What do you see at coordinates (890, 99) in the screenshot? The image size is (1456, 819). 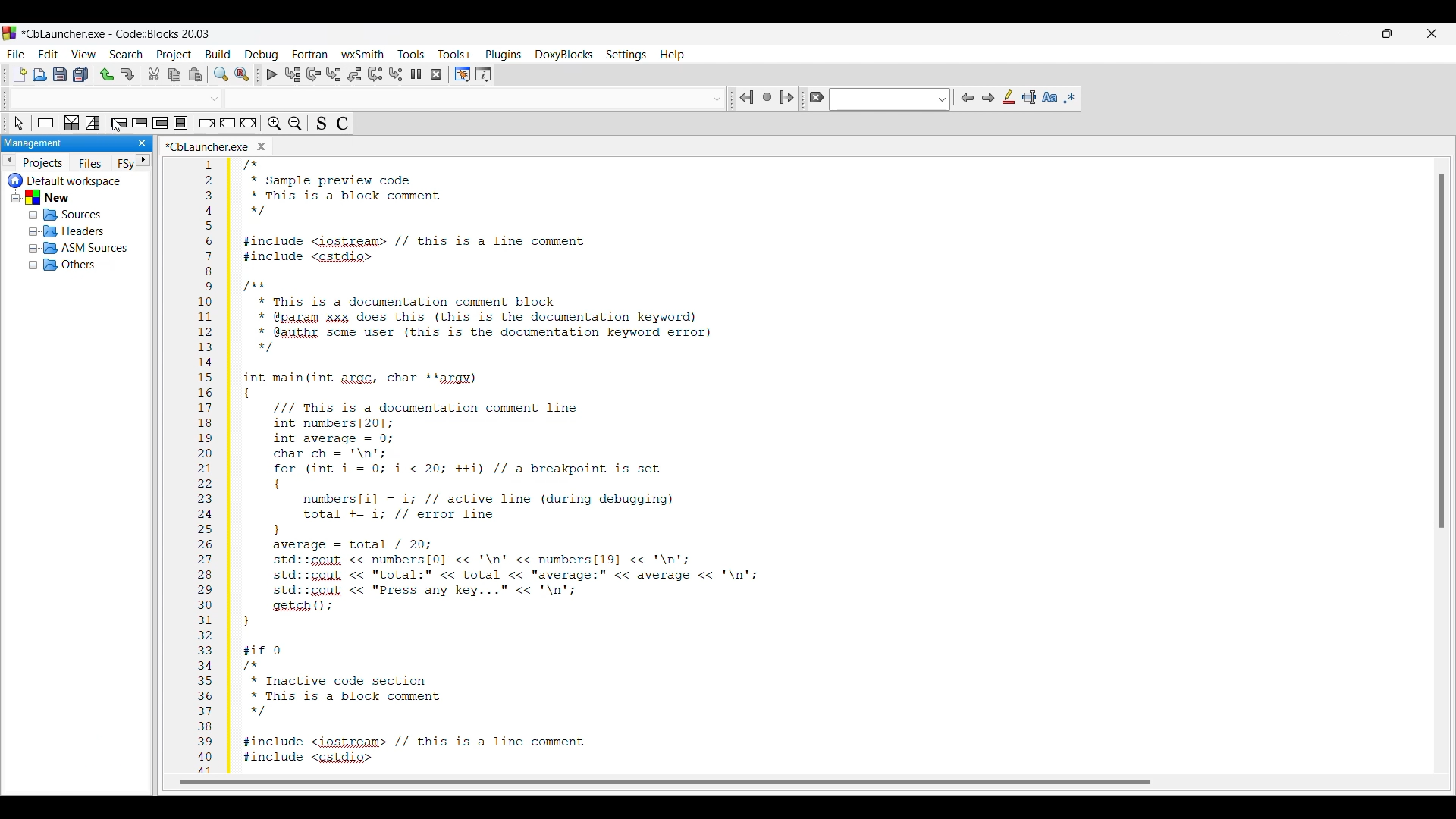 I see `Text box and text options` at bounding box center [890, 99].